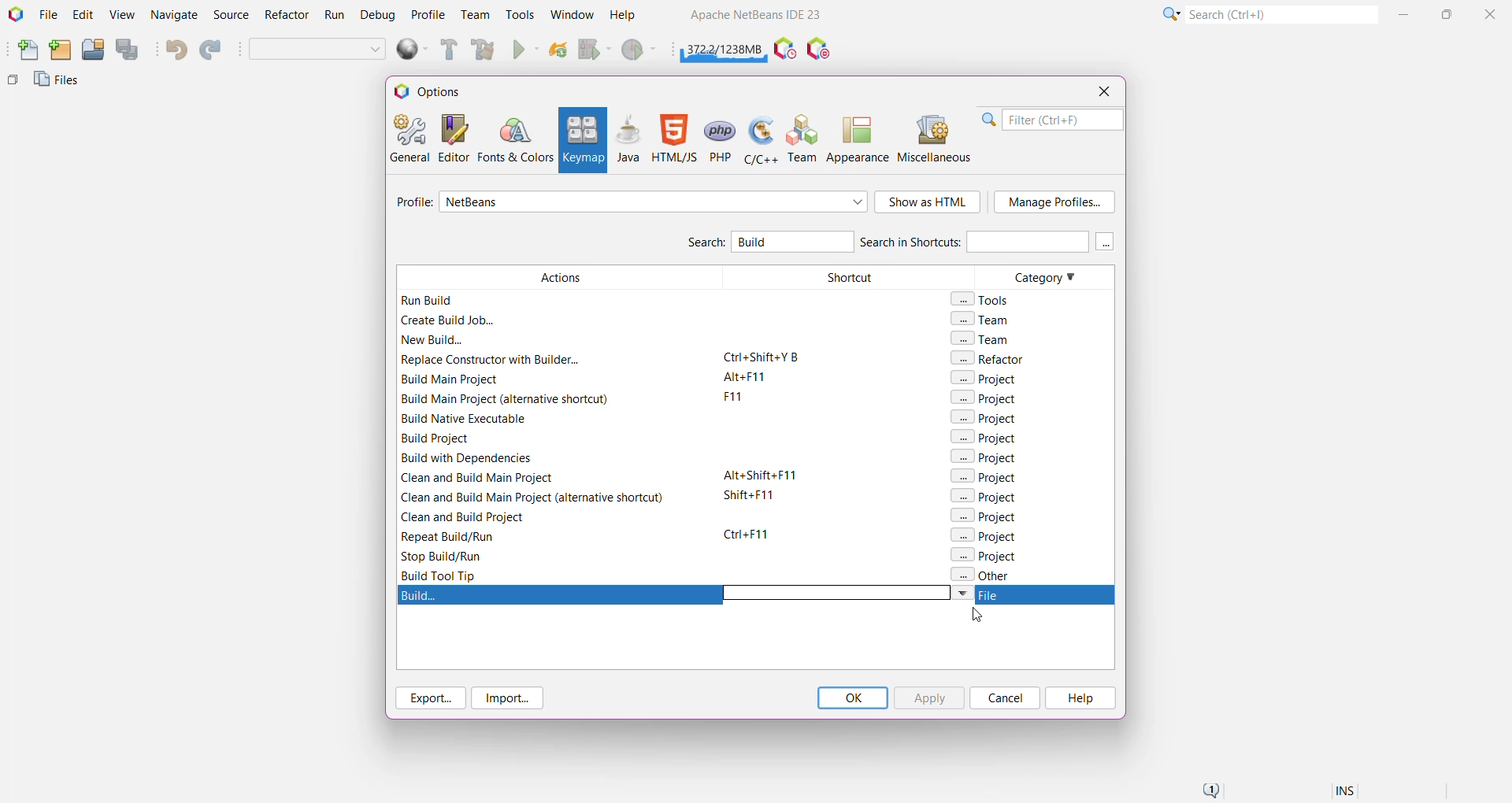 The width and height of the screenshot is (1512, 803). I want to click on Profile, so click(412, 204).